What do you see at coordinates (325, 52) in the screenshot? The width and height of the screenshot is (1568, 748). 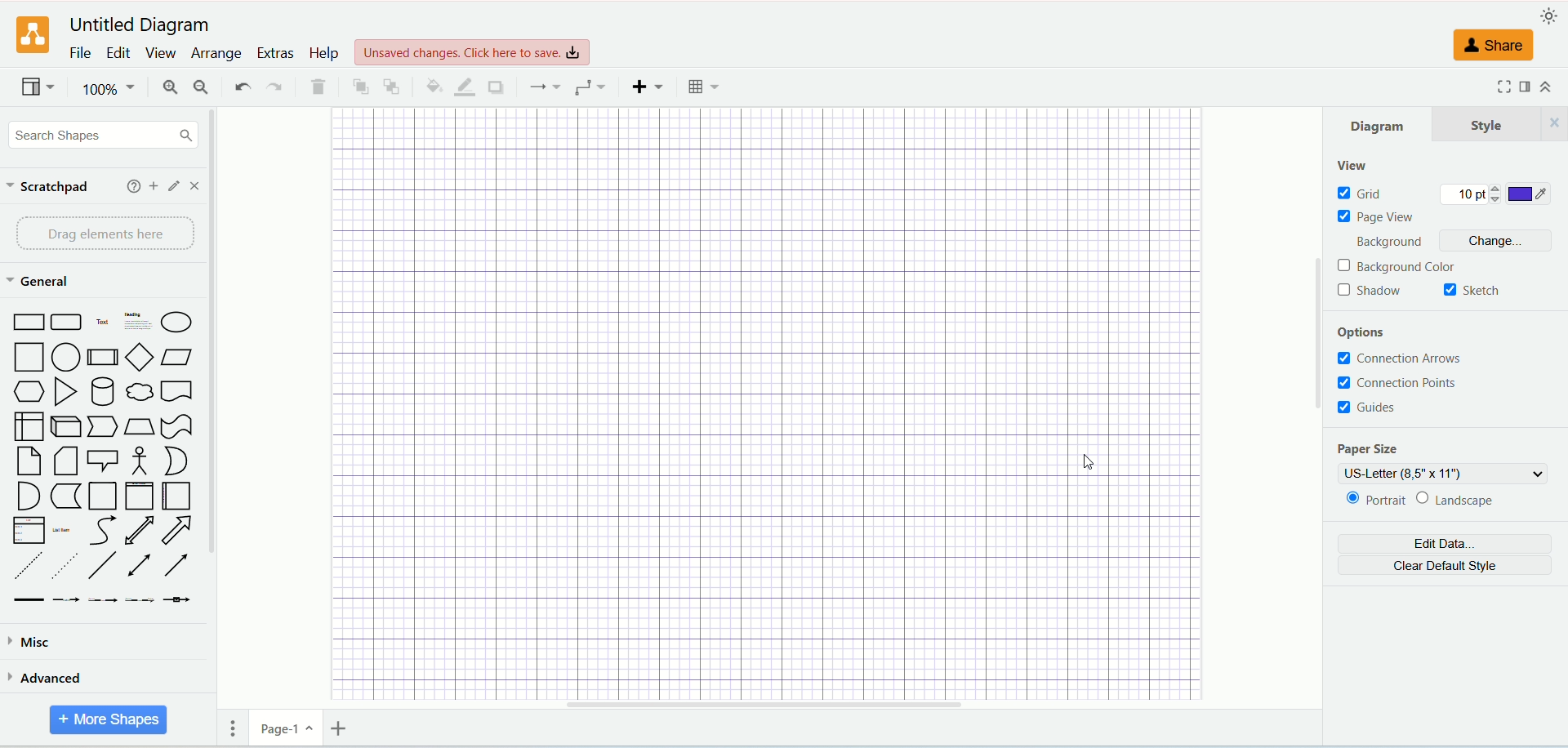 I see `help` at bounding box center [325, 52].